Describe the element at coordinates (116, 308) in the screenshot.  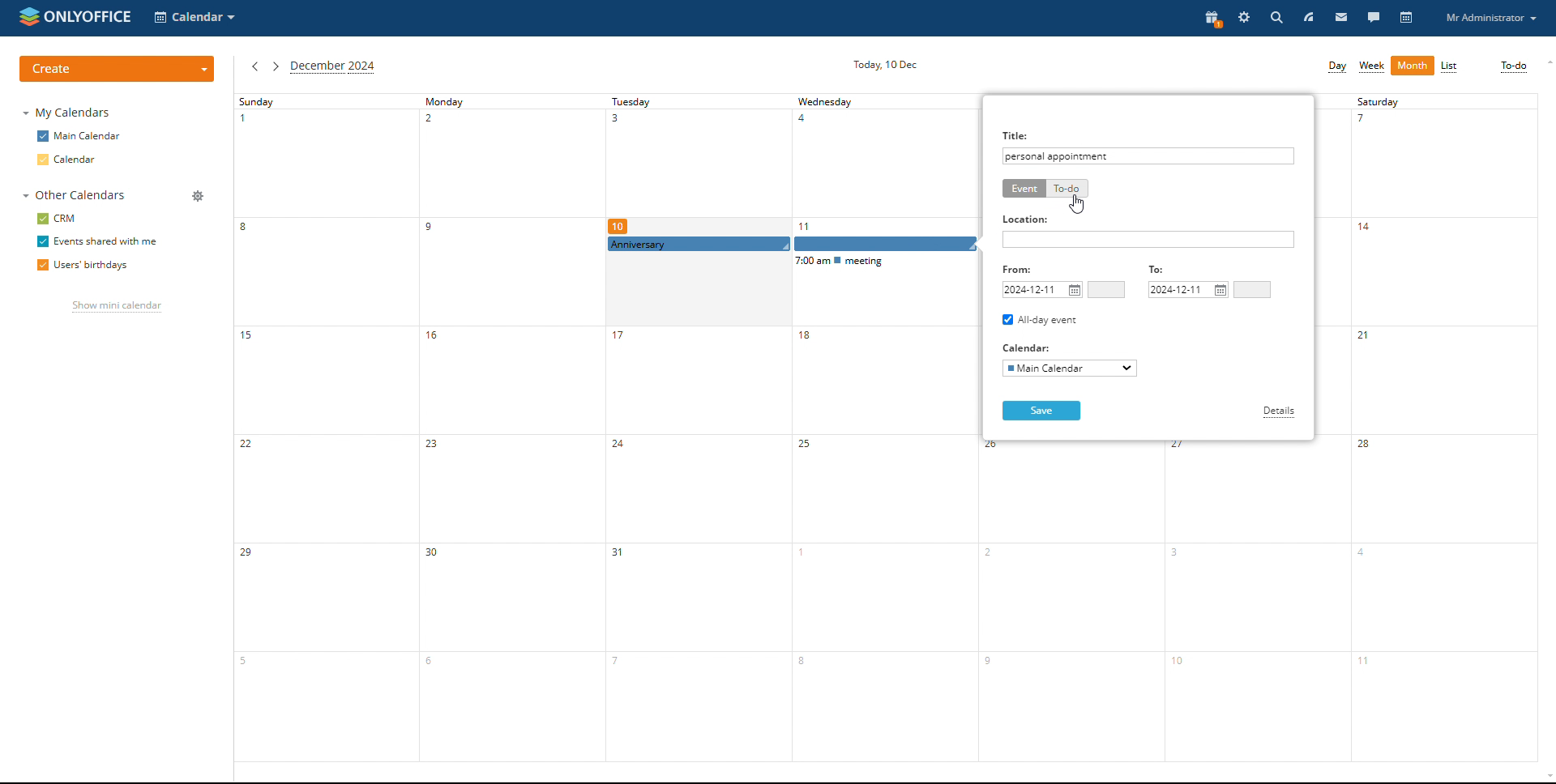
I see `show mini calendar` at that location.